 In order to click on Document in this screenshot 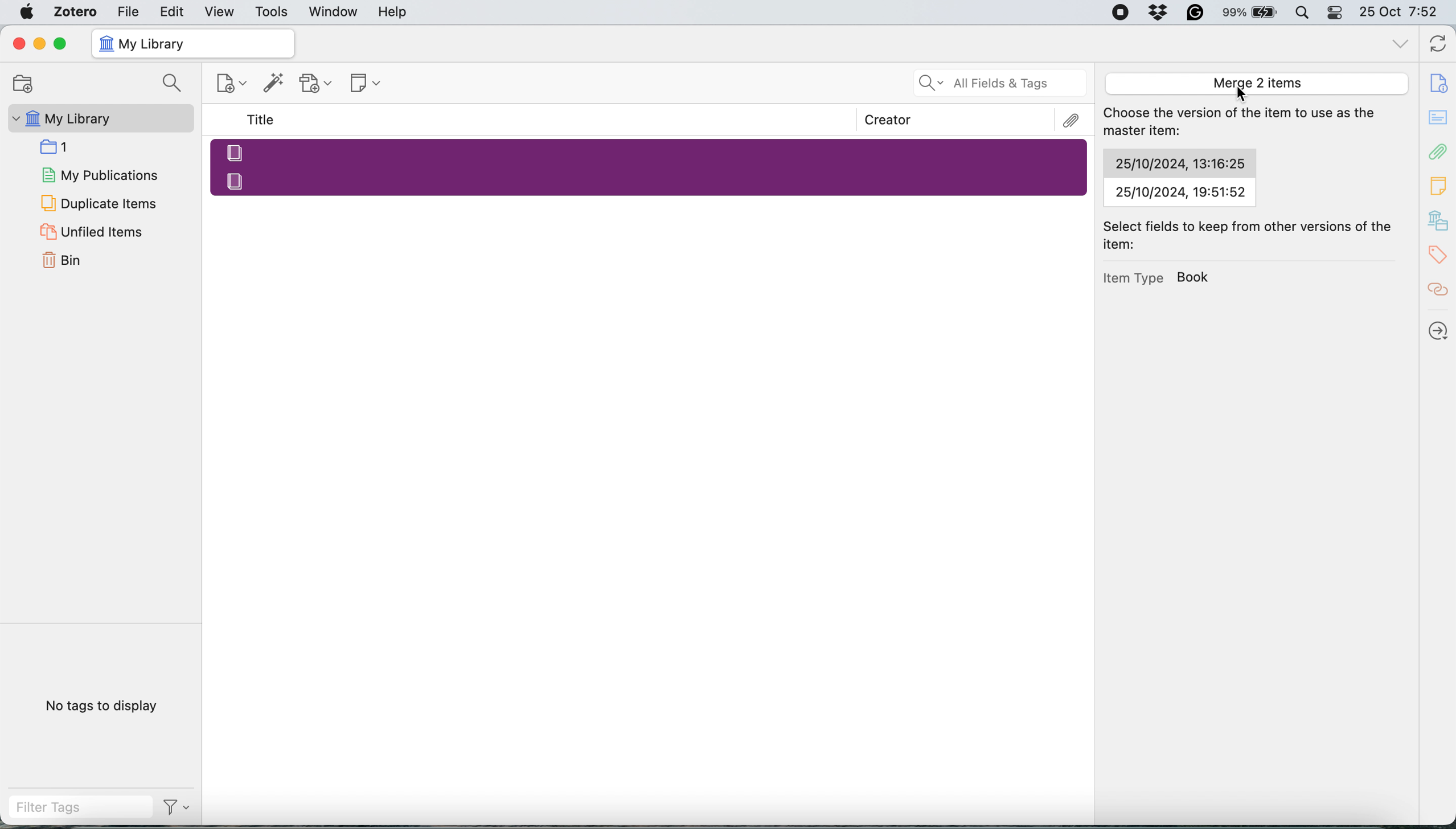, I will do `click(1439, 83)`.